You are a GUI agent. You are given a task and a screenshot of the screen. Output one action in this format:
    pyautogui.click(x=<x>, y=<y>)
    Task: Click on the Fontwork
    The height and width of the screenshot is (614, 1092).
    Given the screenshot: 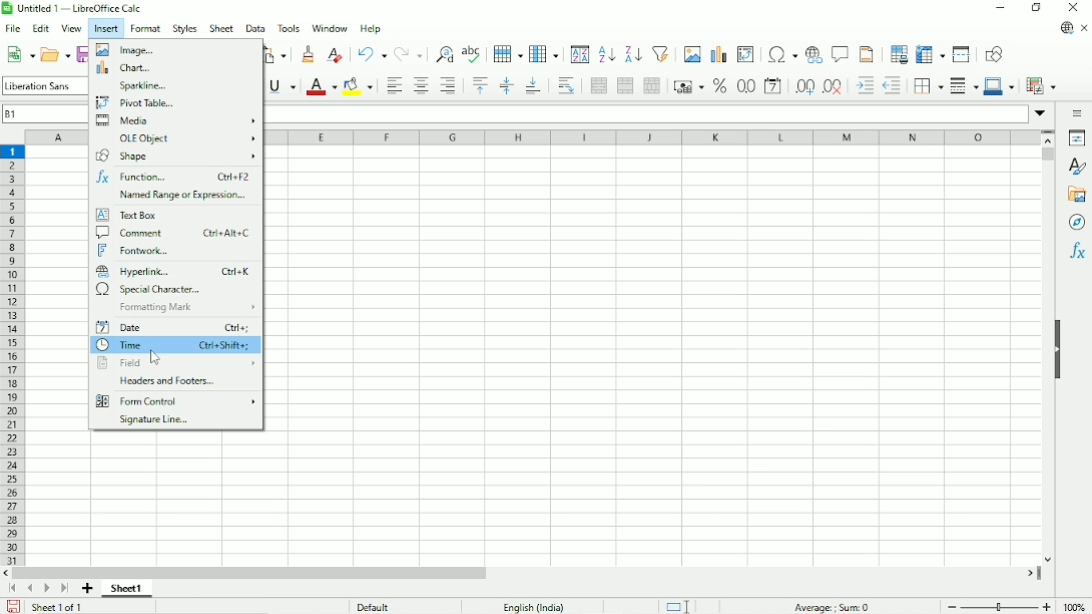 What is the action you would take?
    pyautogui.click(x=136, y=251)
    